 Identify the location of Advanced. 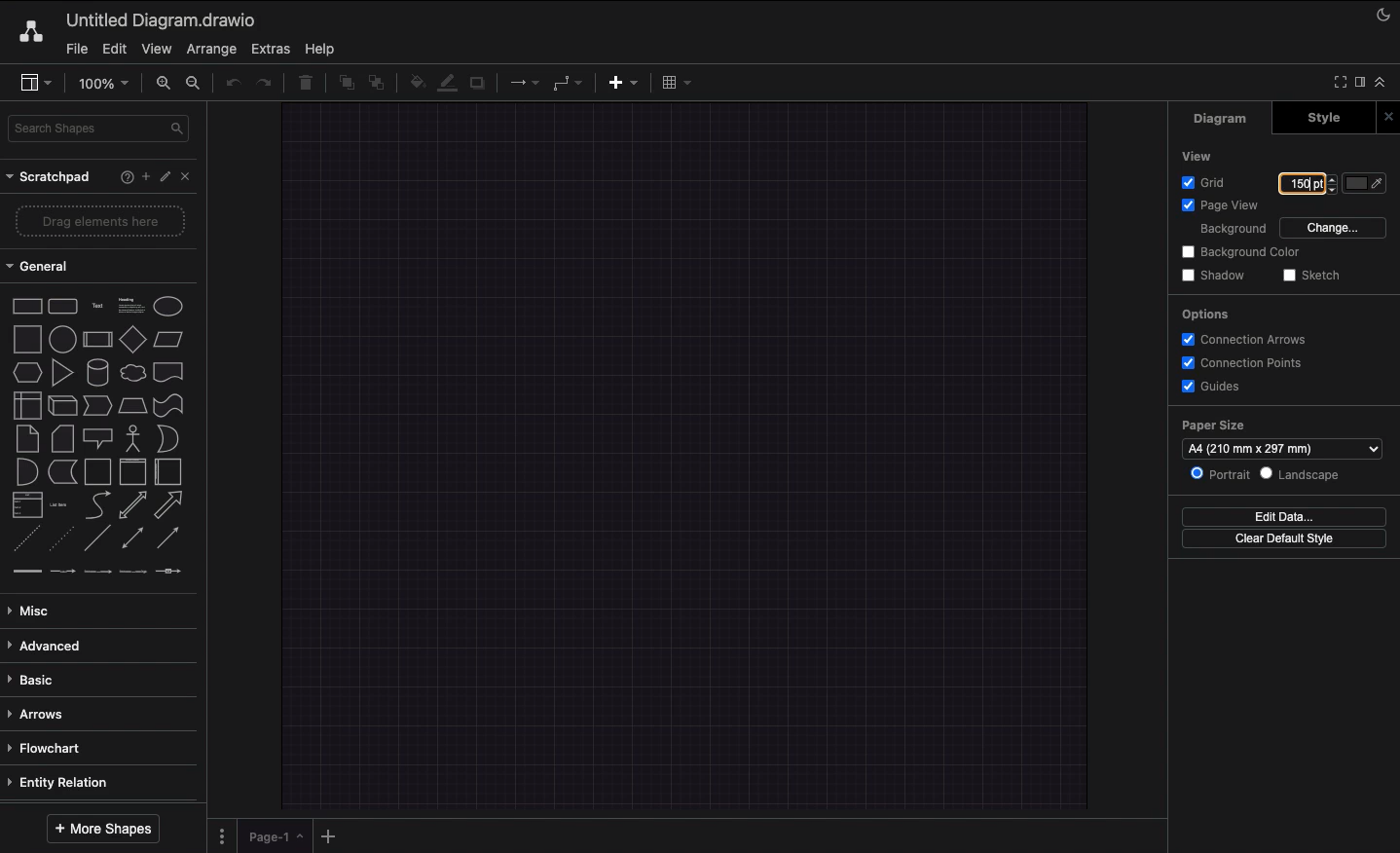
(51, 646).